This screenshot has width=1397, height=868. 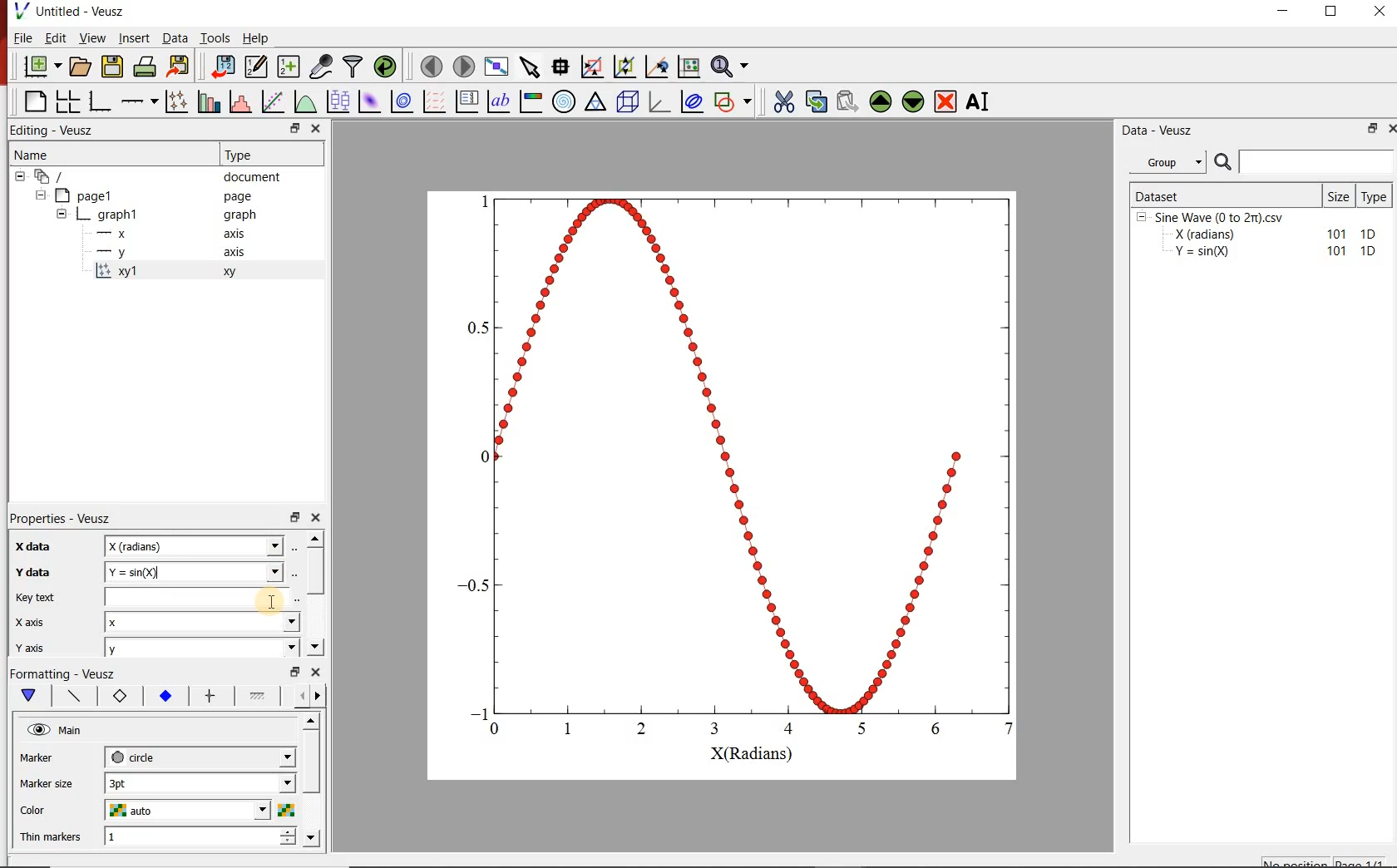 What do you see at coordinates (71, 694) in the screenshot?
I see `options` at bounding box center [71, 694].